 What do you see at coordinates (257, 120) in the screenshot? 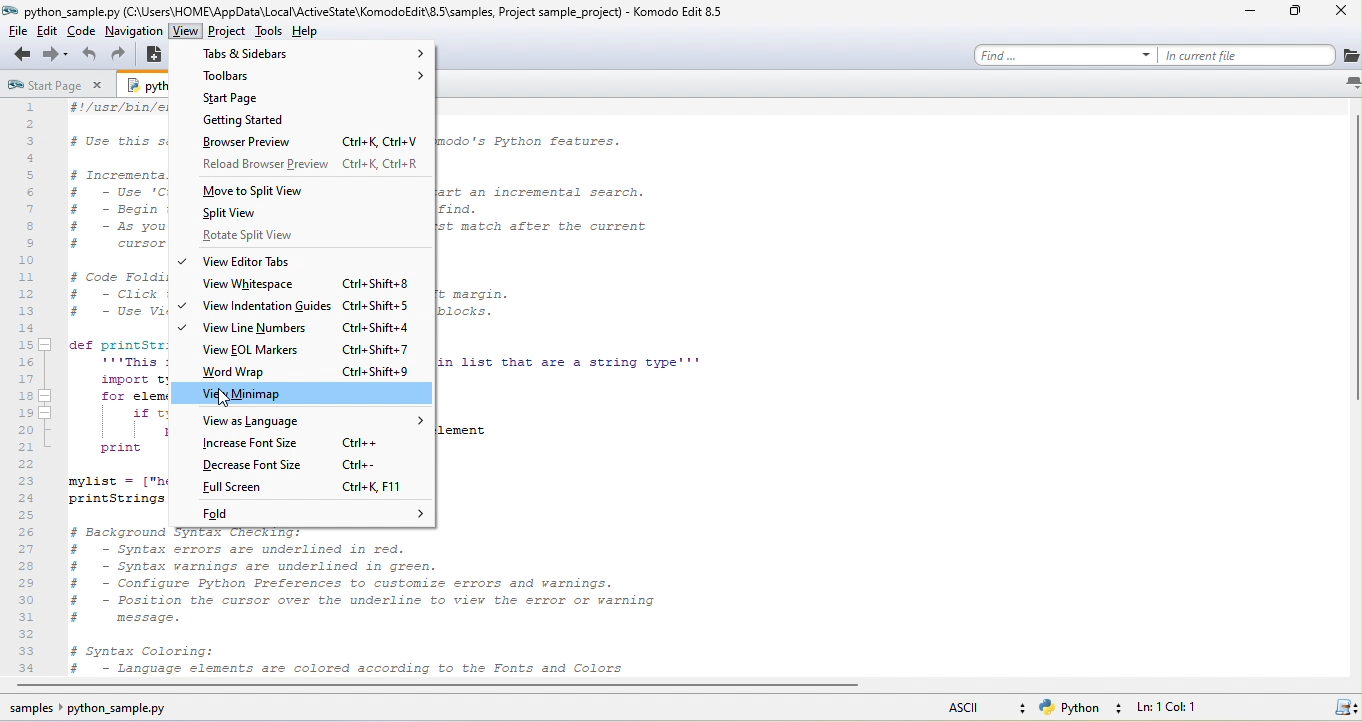
I see `getting started` at bounding box center [257, 120].